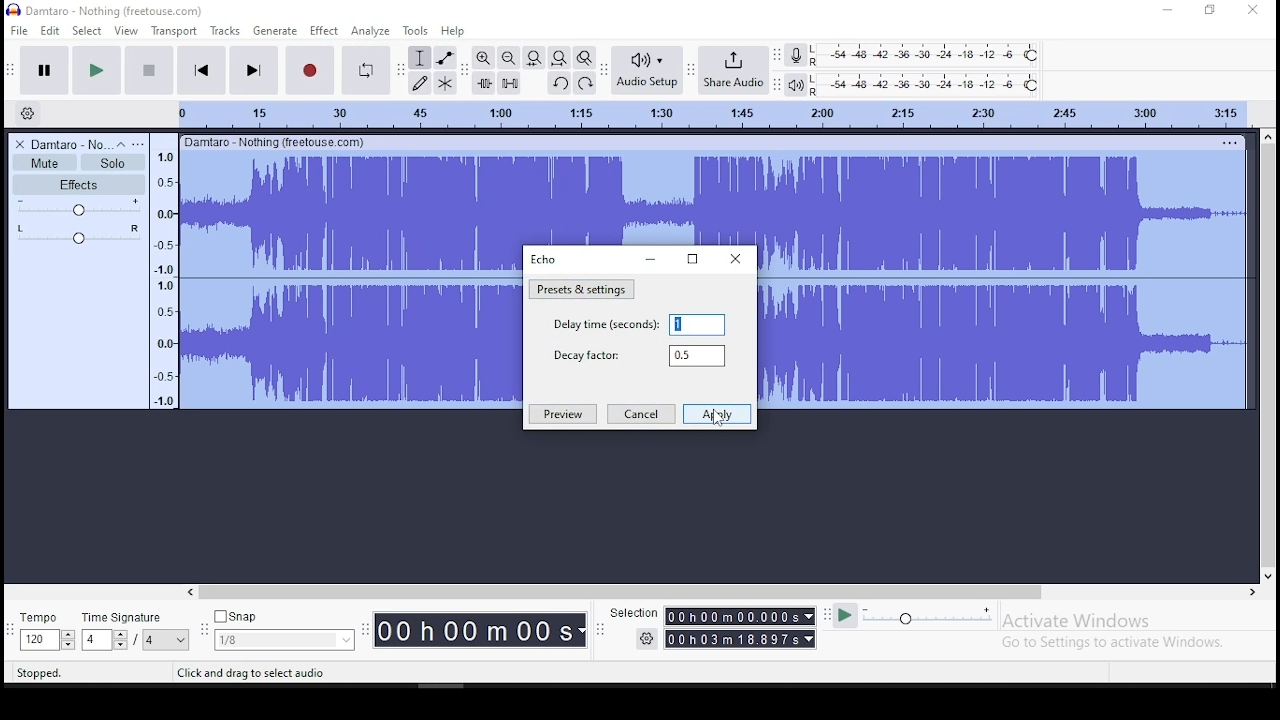 This screenshot has width=1280, height=720. Describe the element at coordinates (113, 163) in the screenshot. I see `solo` at that location.